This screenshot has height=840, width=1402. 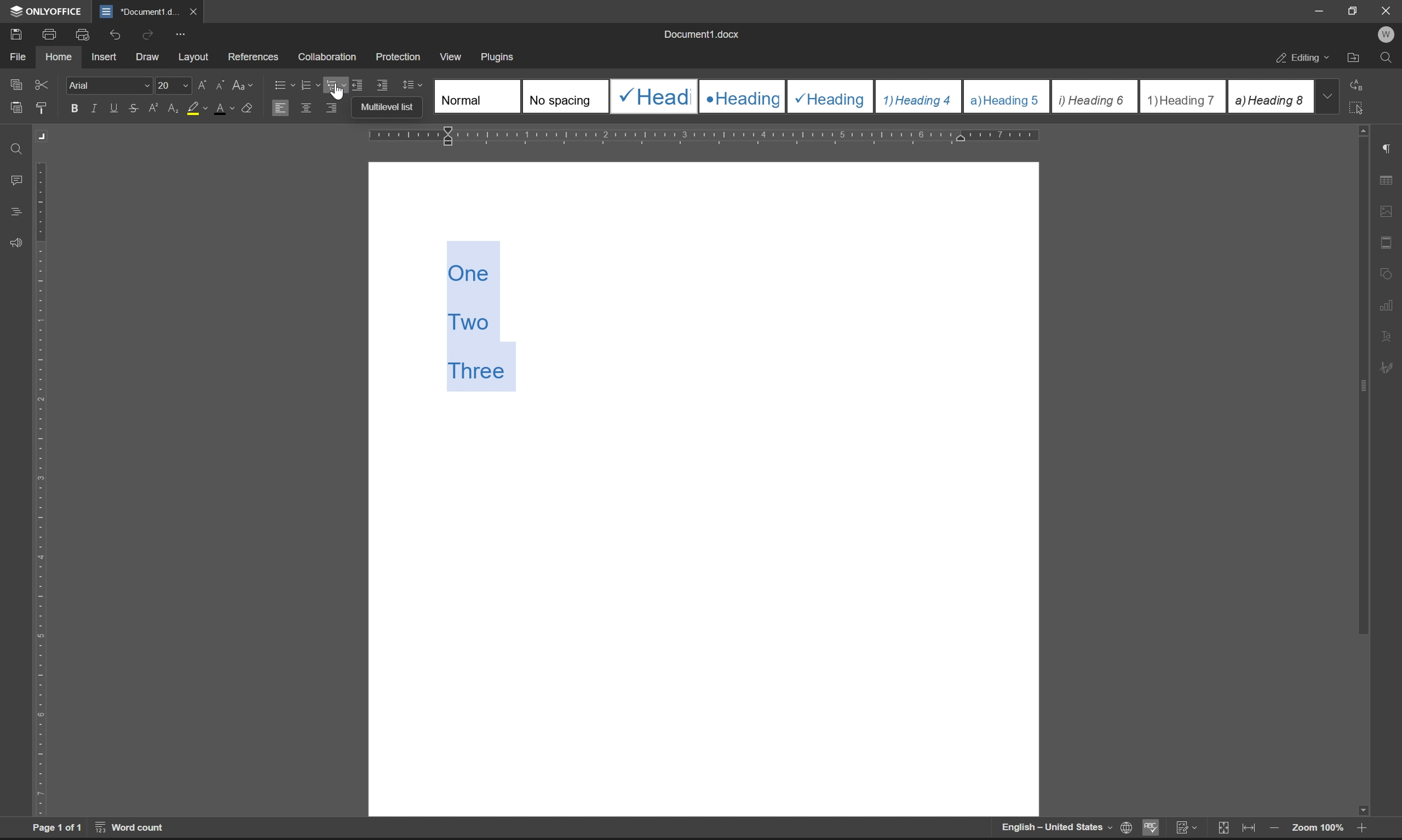 What do you see at coordinates (1388, 35) in the screenshot?
I see `W` at bounding box center [1388, 35].